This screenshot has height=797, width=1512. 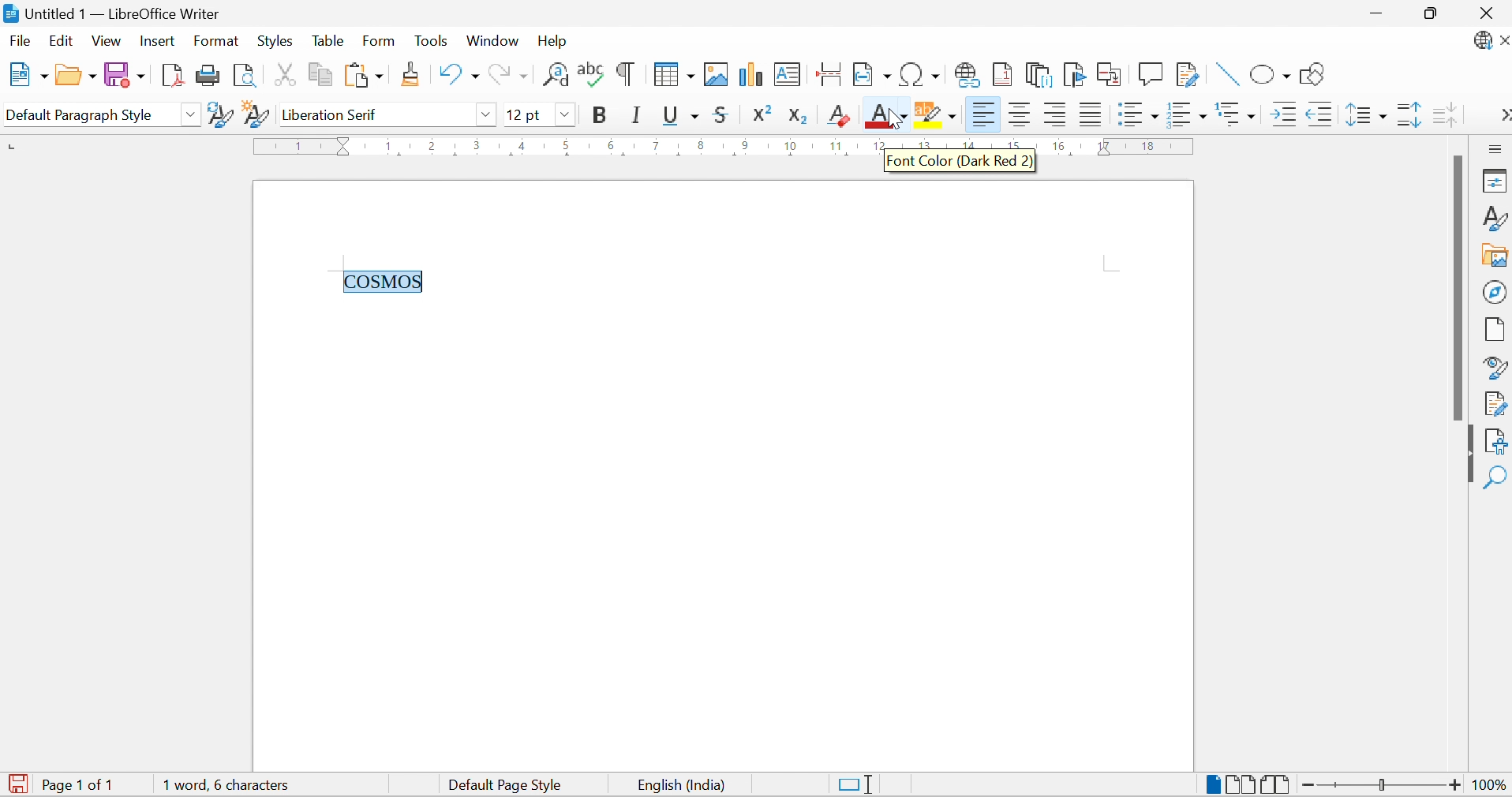 I want to click on Insert Table, so click(x=674, y=75).